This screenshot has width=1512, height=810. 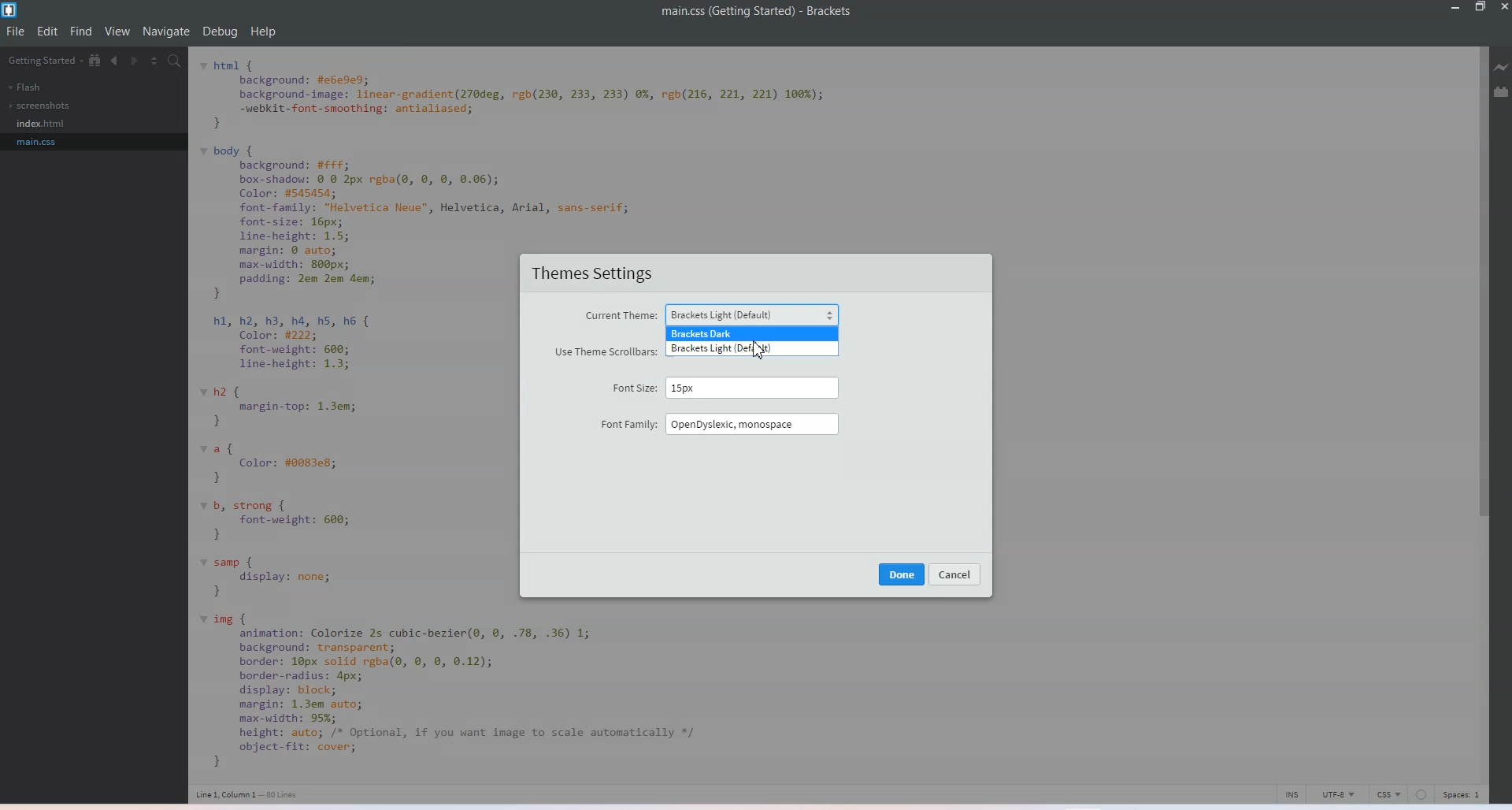 What do you see at coordinates (155, 61) in the screenshot?
I see `Split editor vertically and Horizontally` at bounding box center [155, 61].